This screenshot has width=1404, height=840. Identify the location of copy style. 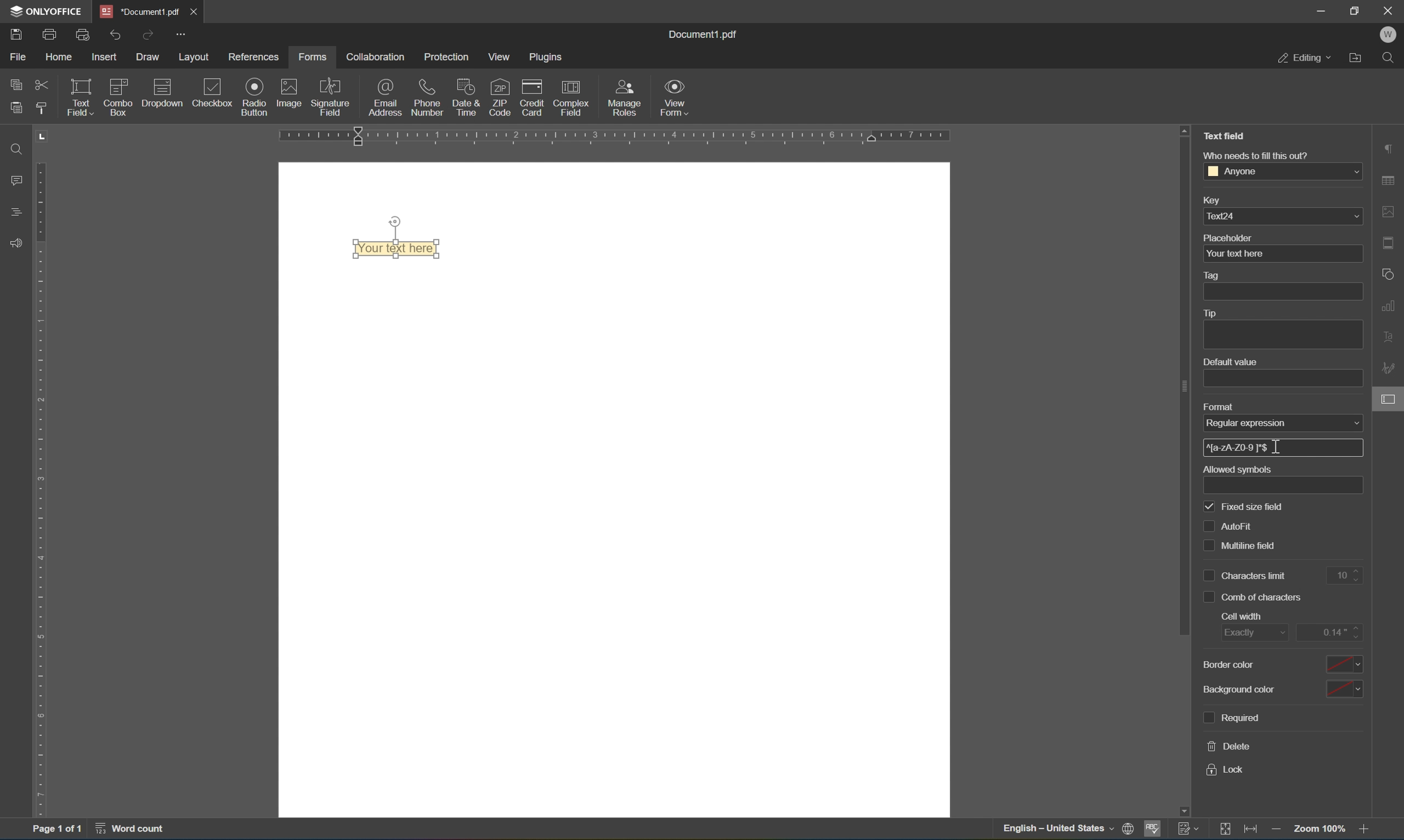
(40, 108).